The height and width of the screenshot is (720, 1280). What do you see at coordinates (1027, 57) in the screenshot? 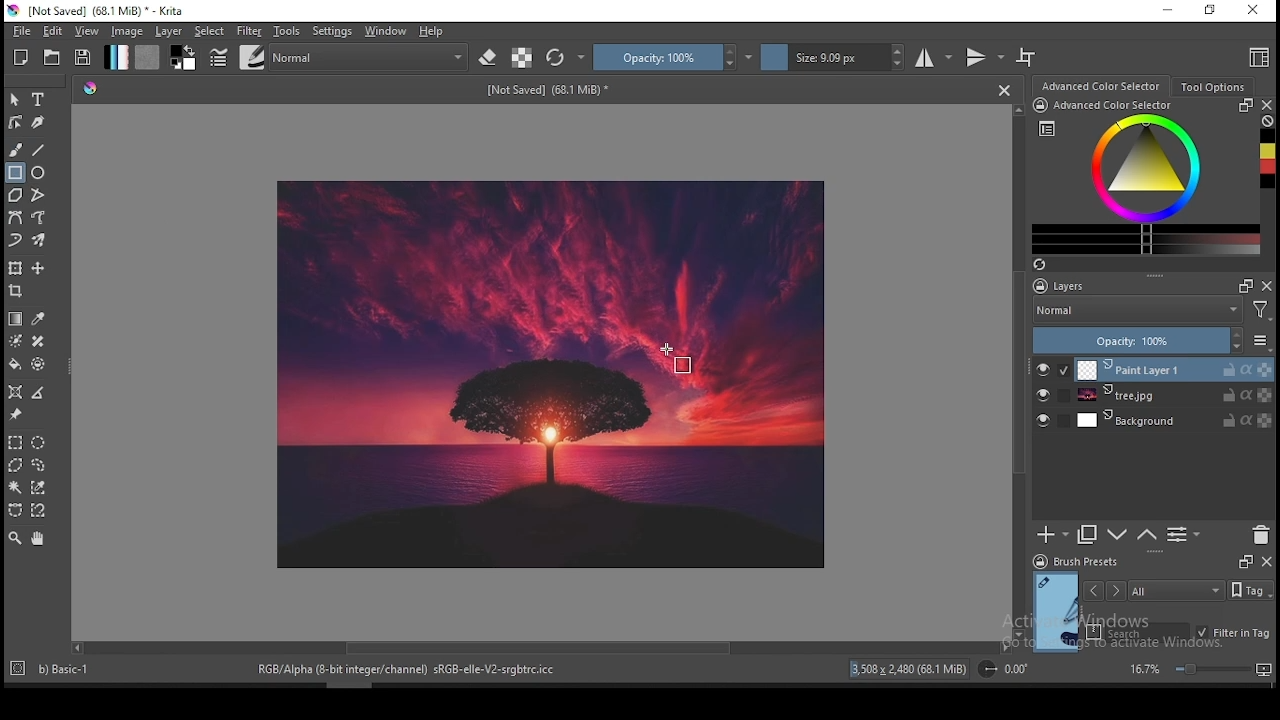
I see `wrap around mode` at bounding box center [1027, 57].